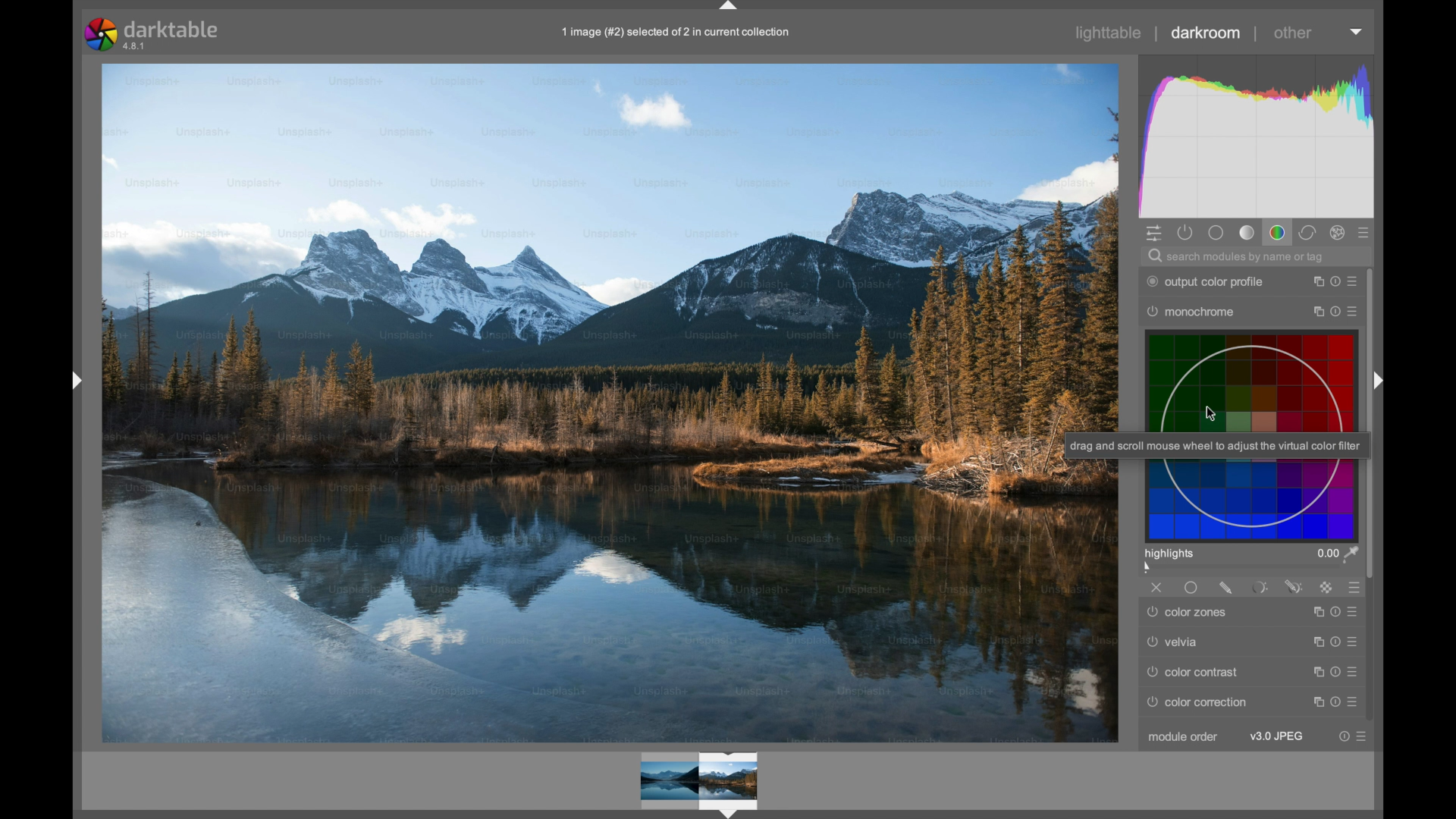  Describe the element at coordinates (673, 34) in the screenshot. I see `1 image (#2) selected of 2 in current collection` at that location.